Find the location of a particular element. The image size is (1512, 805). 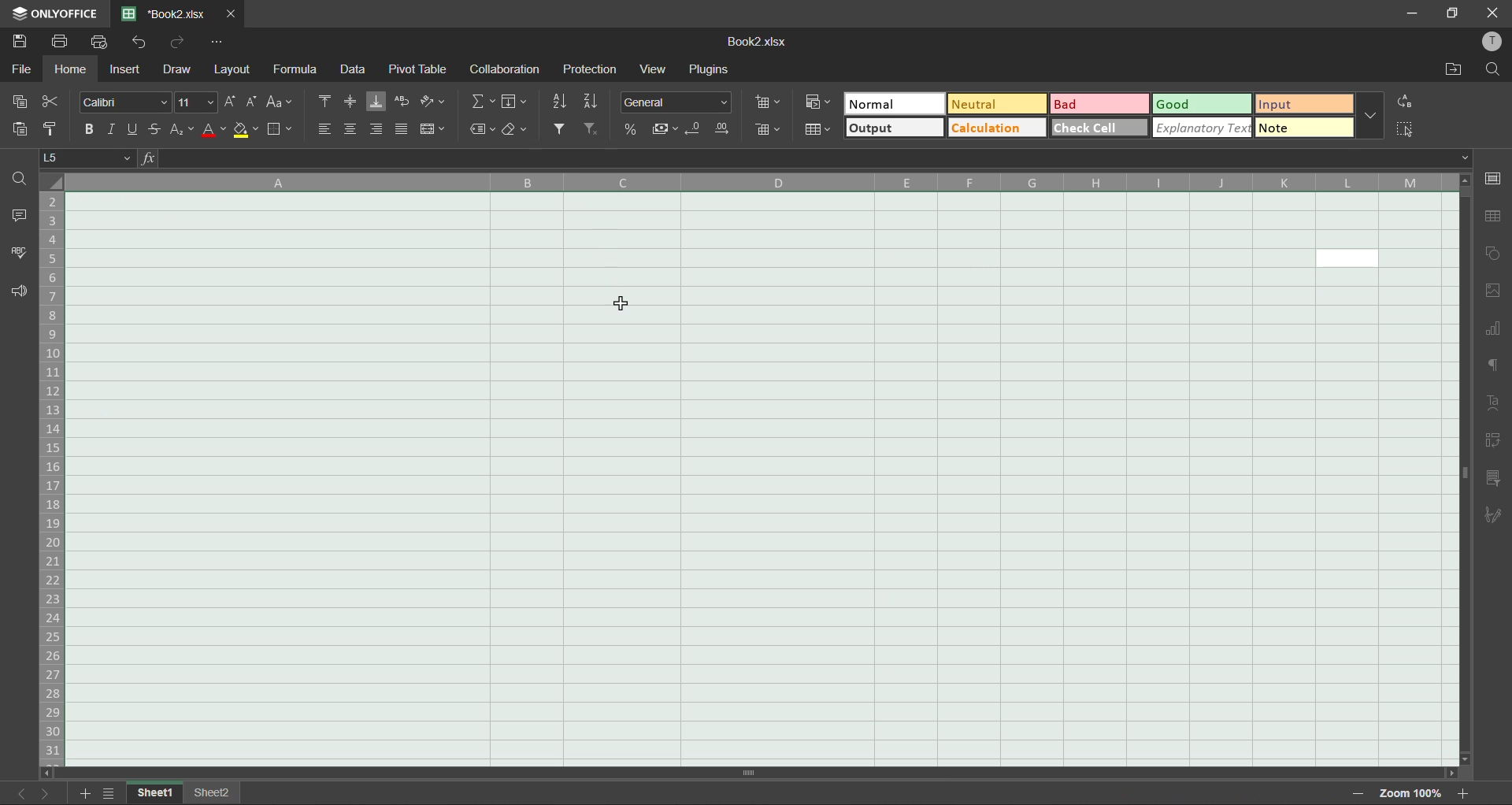

change case is located at coordinates (282, 101).